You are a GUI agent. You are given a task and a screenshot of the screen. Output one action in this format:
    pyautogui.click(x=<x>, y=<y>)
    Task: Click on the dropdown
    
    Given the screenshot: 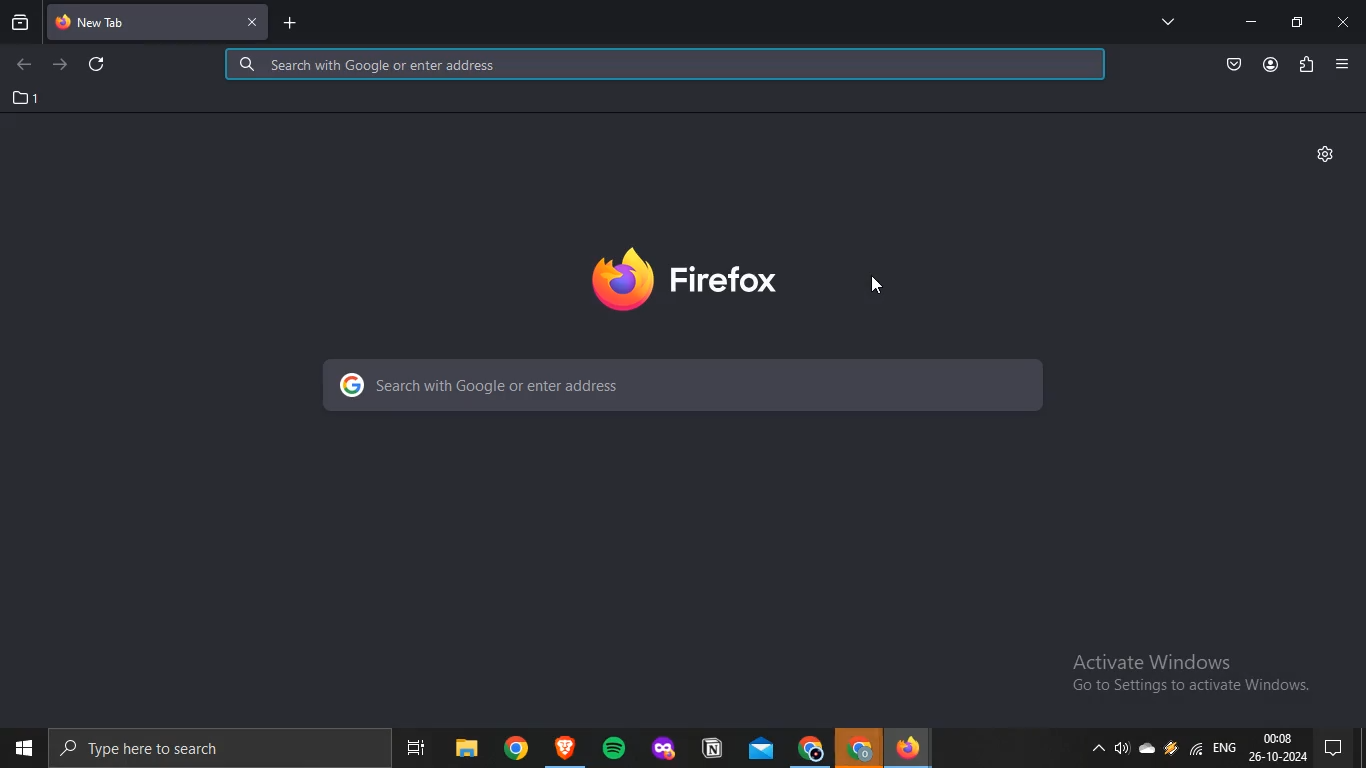 What is the action you would take?
    pyautogui.click(x=1092, y=750)
    